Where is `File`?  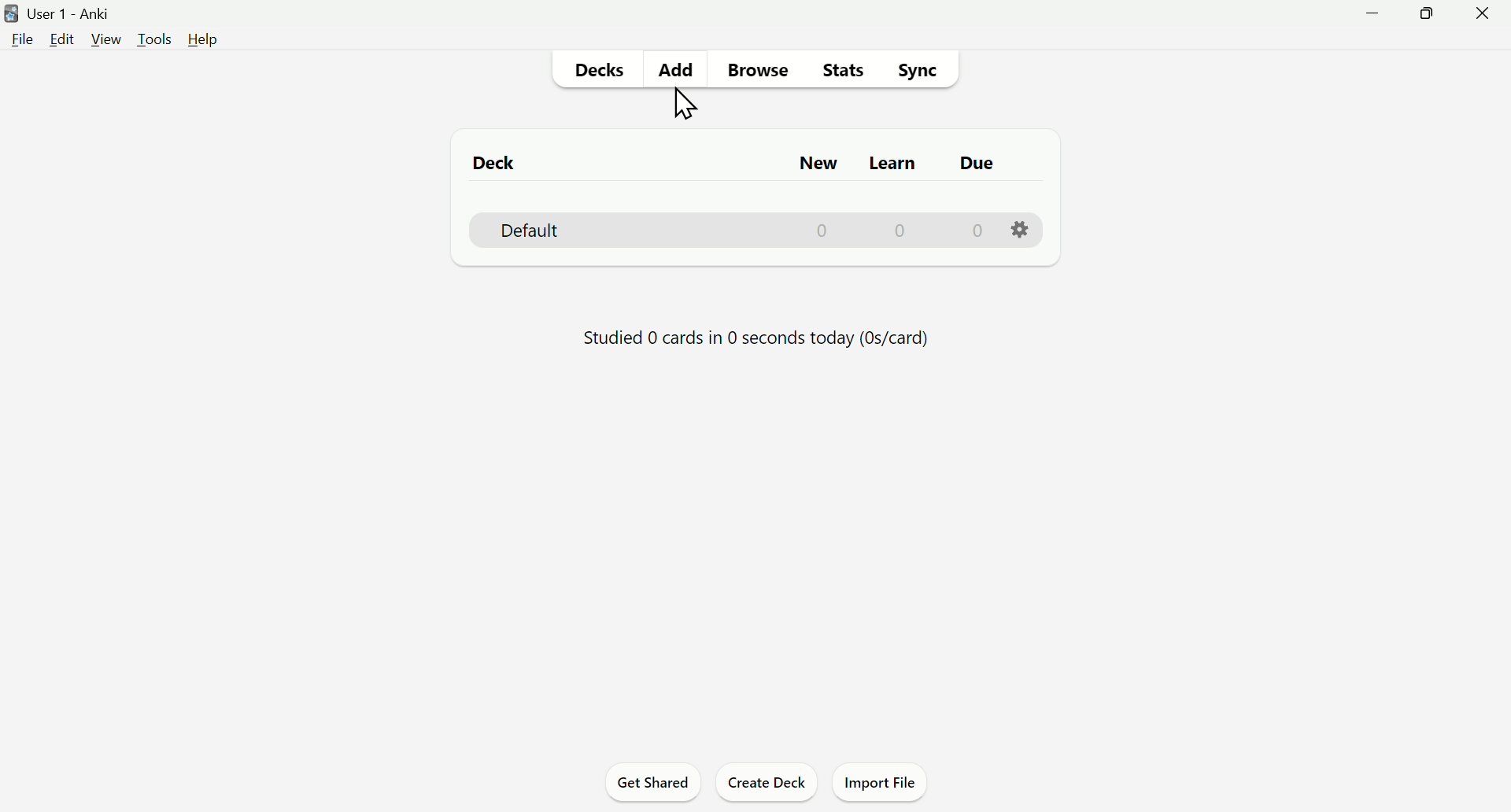 File is located at coordinates (22, 41).